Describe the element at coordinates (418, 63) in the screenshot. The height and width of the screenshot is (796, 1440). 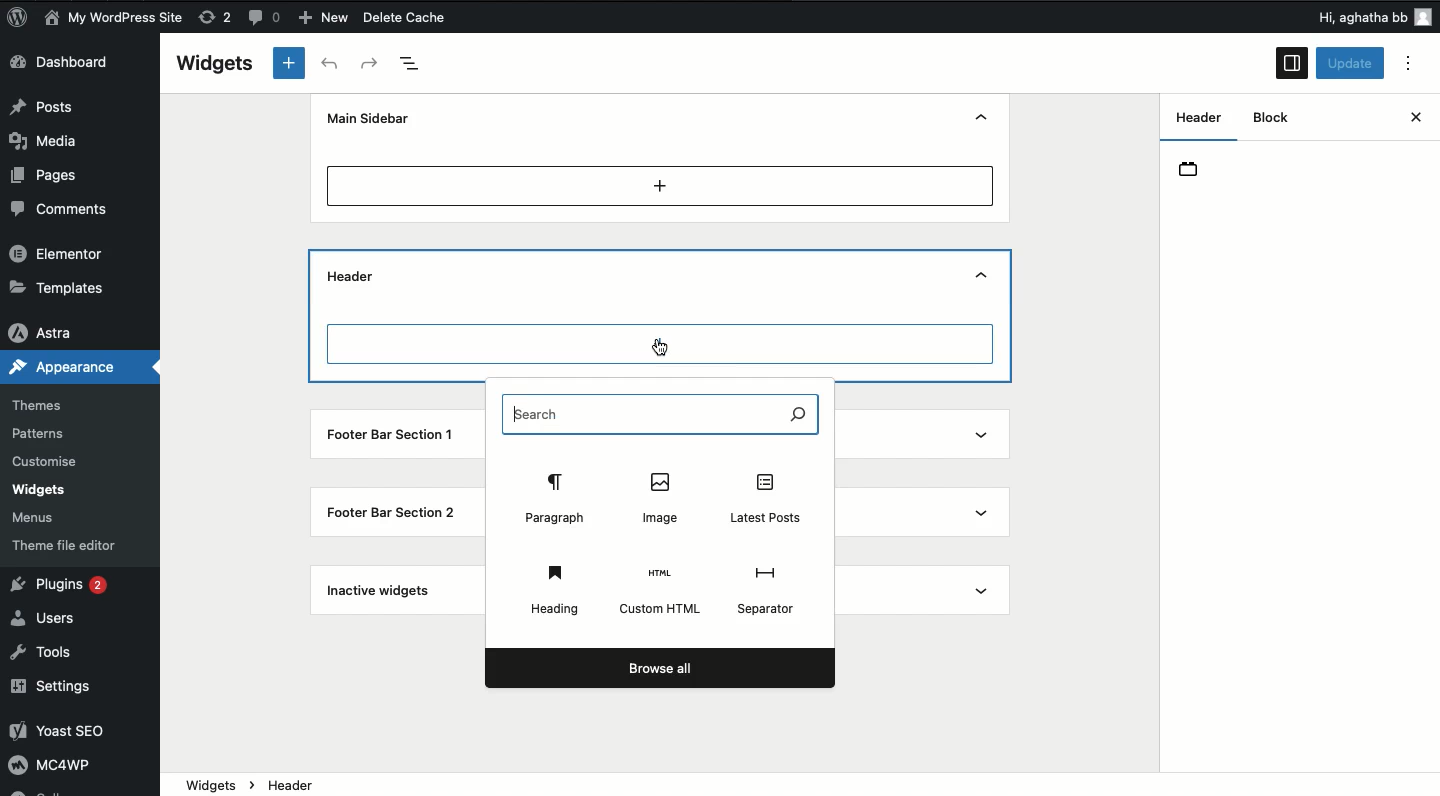
I see `Document overview` at that location.